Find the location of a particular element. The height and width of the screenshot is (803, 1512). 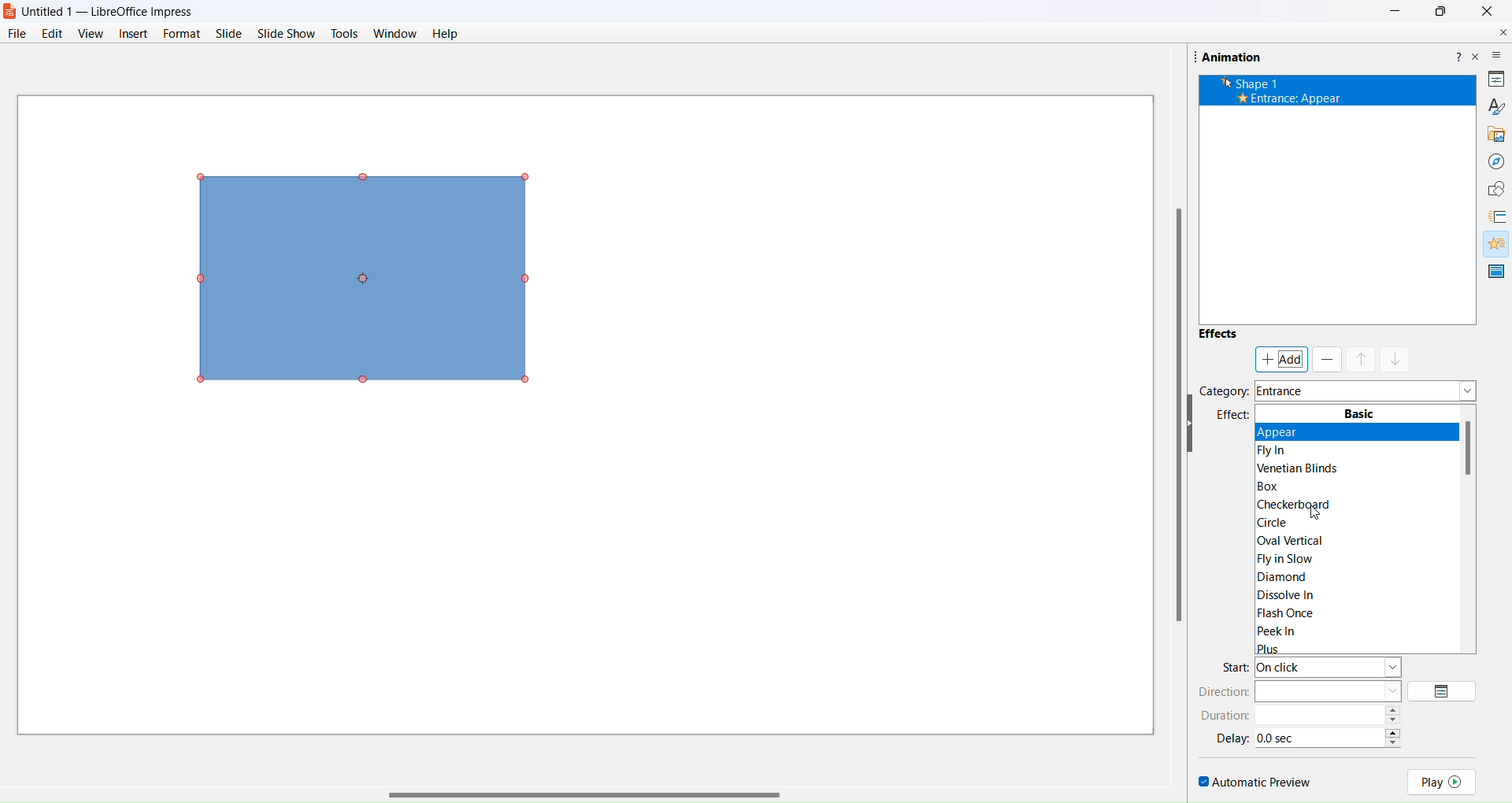

Maximise is located at coordinates (1438, 13).